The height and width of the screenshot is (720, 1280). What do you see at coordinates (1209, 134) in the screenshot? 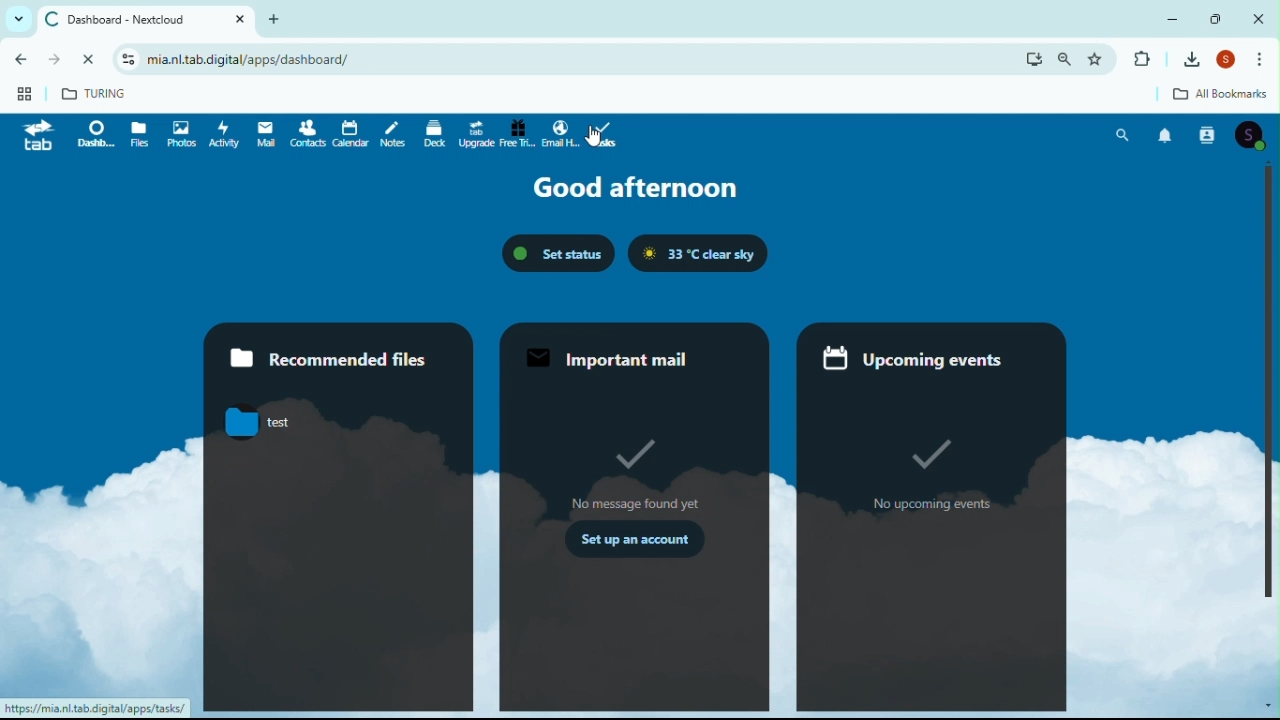
I see `Contacts` at bounding box center [1209, 134].